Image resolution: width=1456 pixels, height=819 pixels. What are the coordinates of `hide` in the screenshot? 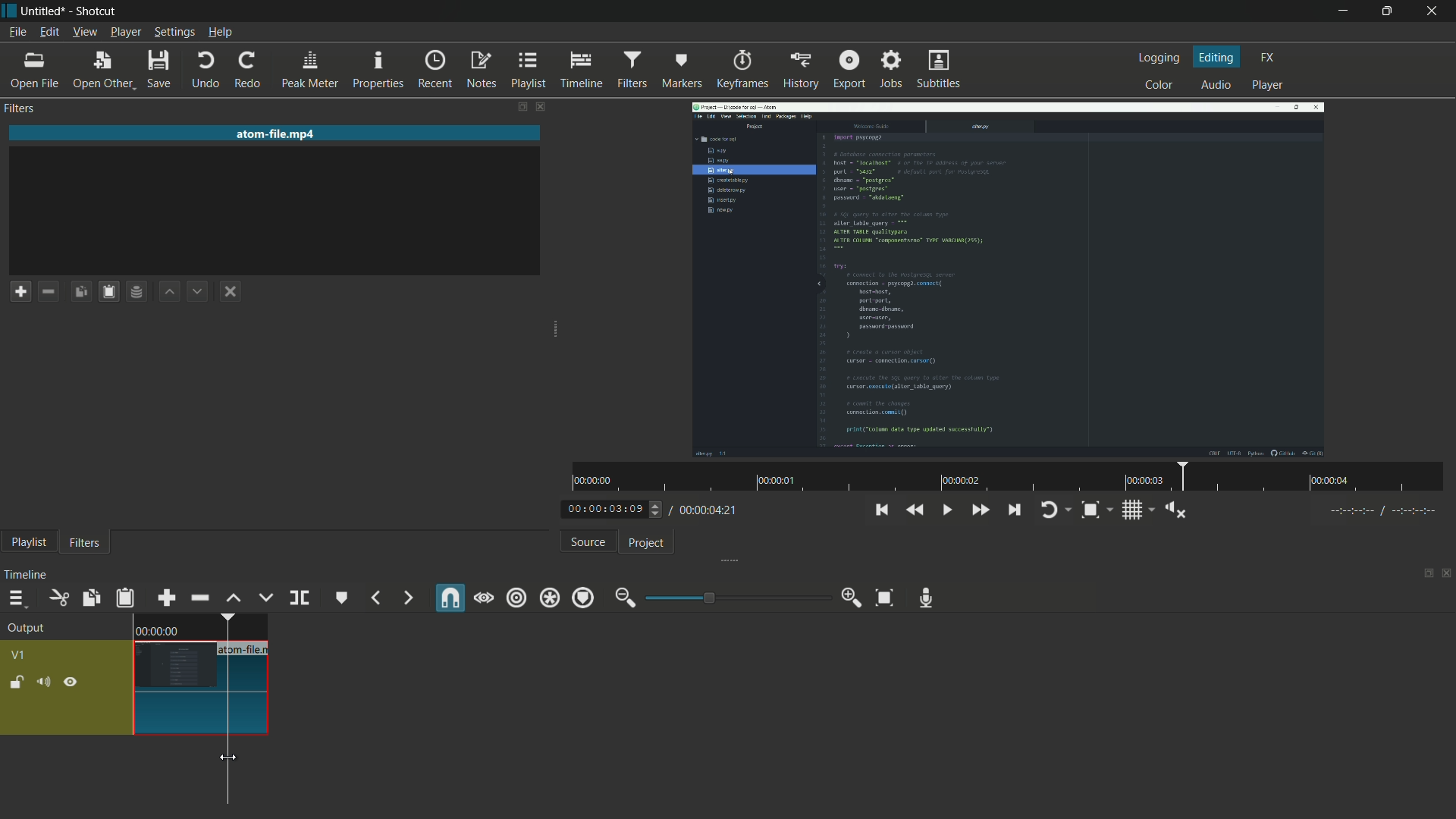 It's located at (71, 683).